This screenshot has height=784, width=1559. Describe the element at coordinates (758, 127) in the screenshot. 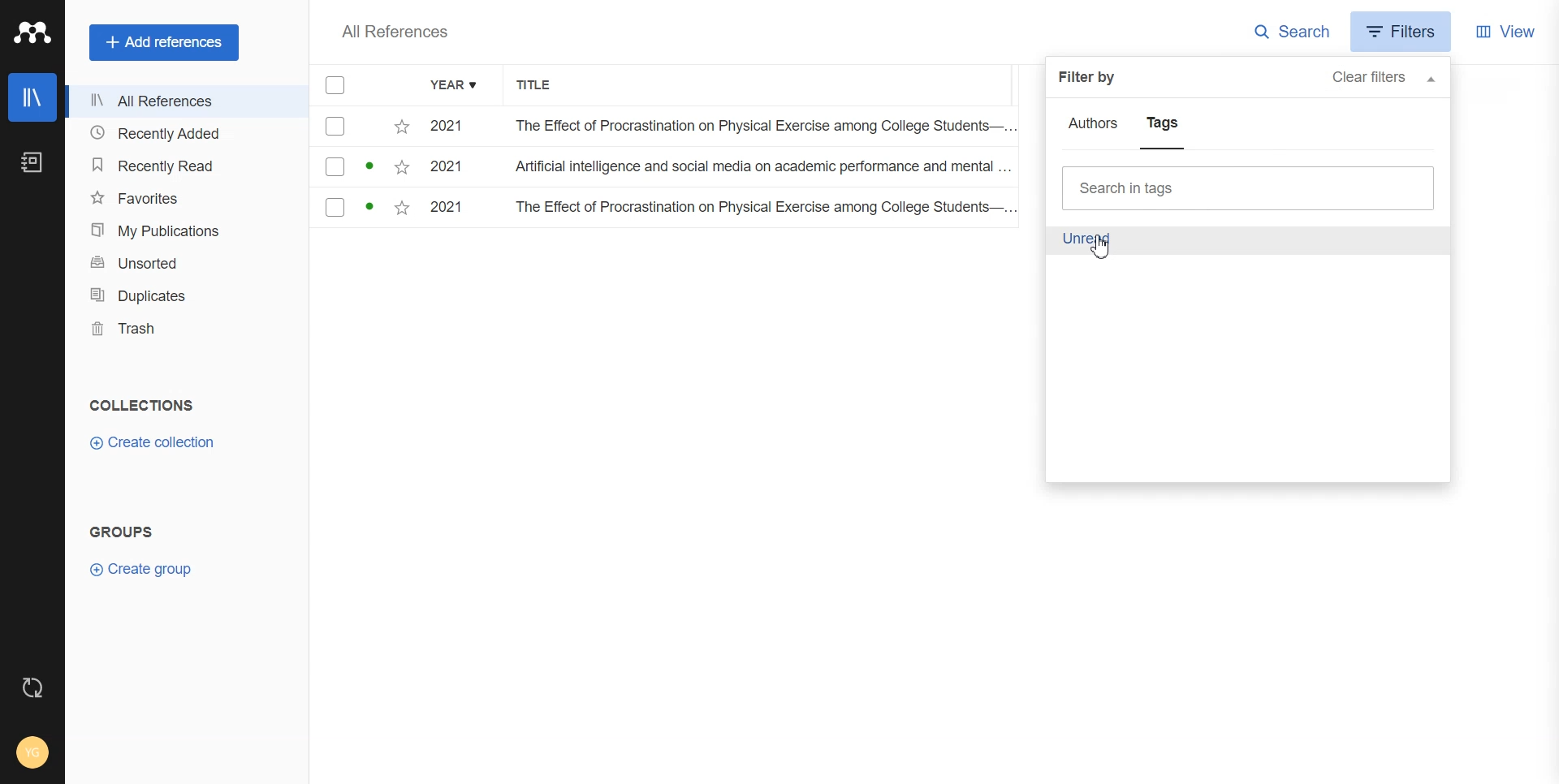

I see `The Effect of Procrastination on Physical Exercise among College Students...` at that location.